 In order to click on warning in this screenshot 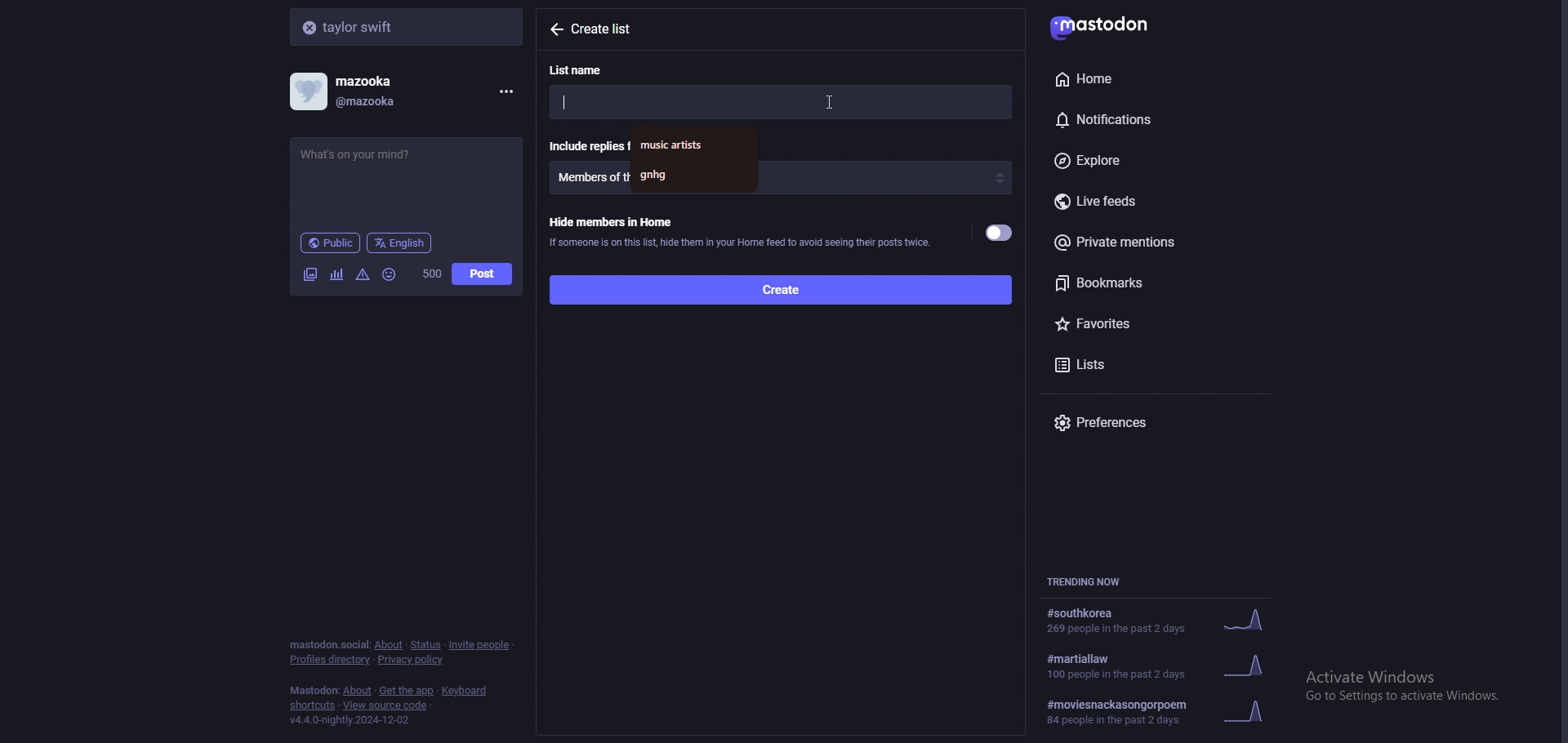, I will do `click(363, 274)`.